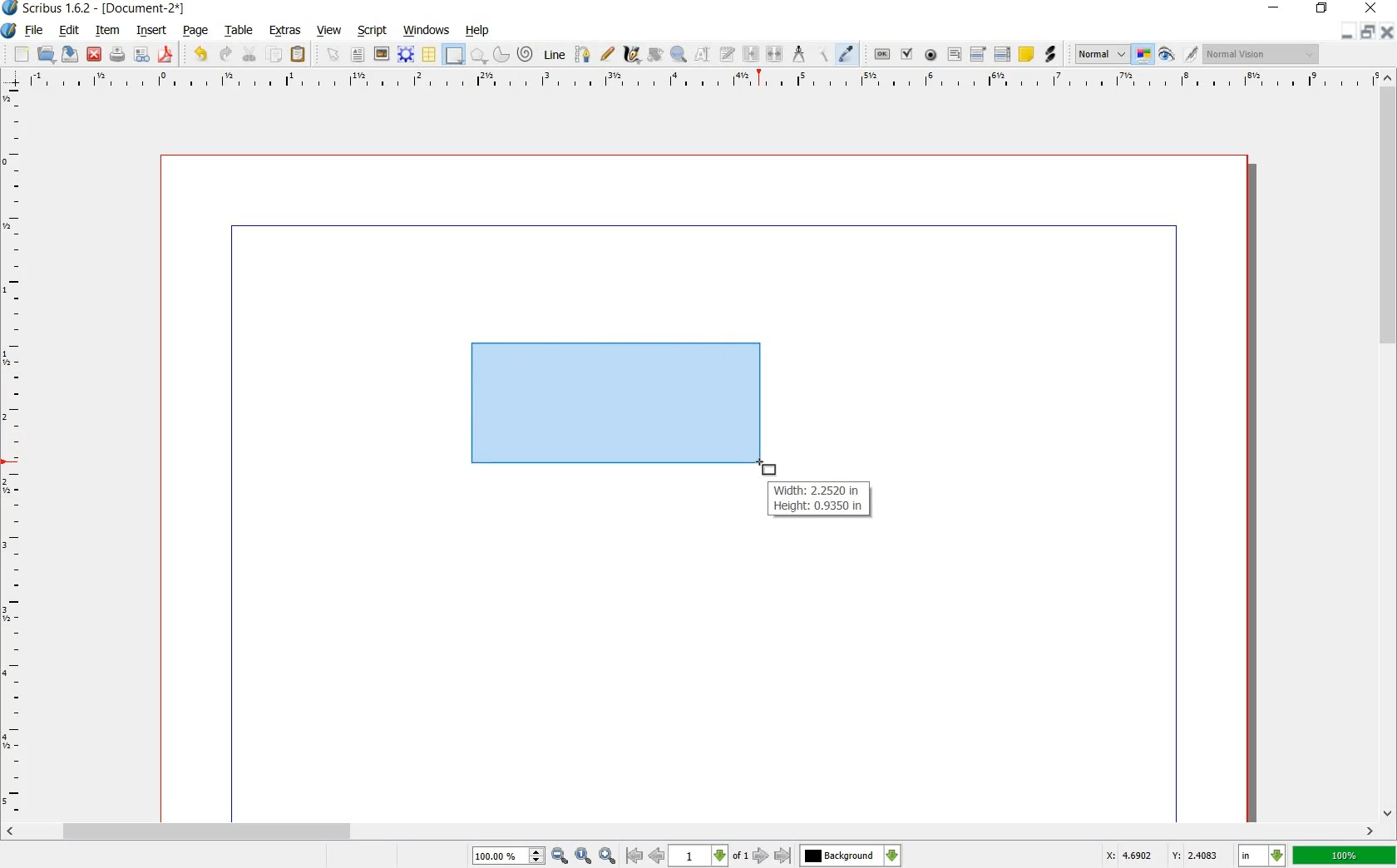  Describe the element at coordinates (1051, 55) in the screenshot. I see `LINK ANNOTATION` at that location.